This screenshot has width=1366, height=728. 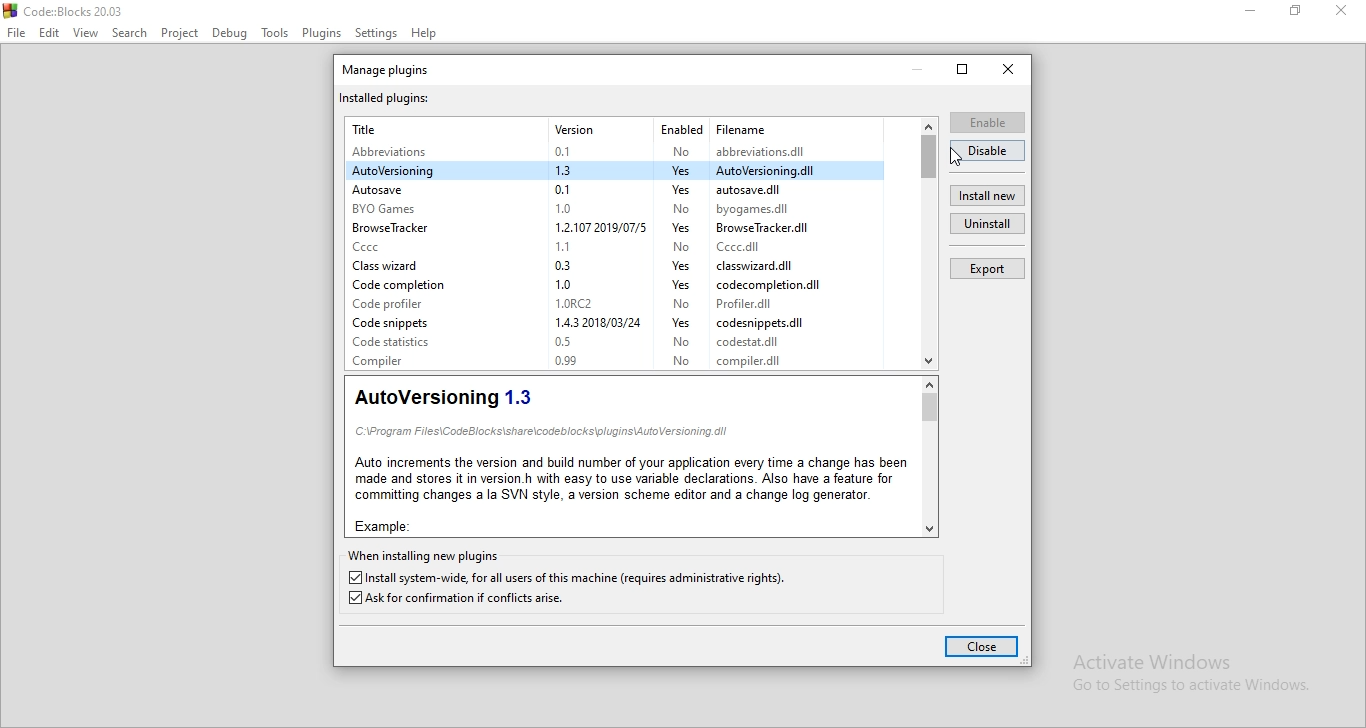 I want to click on Debug, so click(x=230, y=34).